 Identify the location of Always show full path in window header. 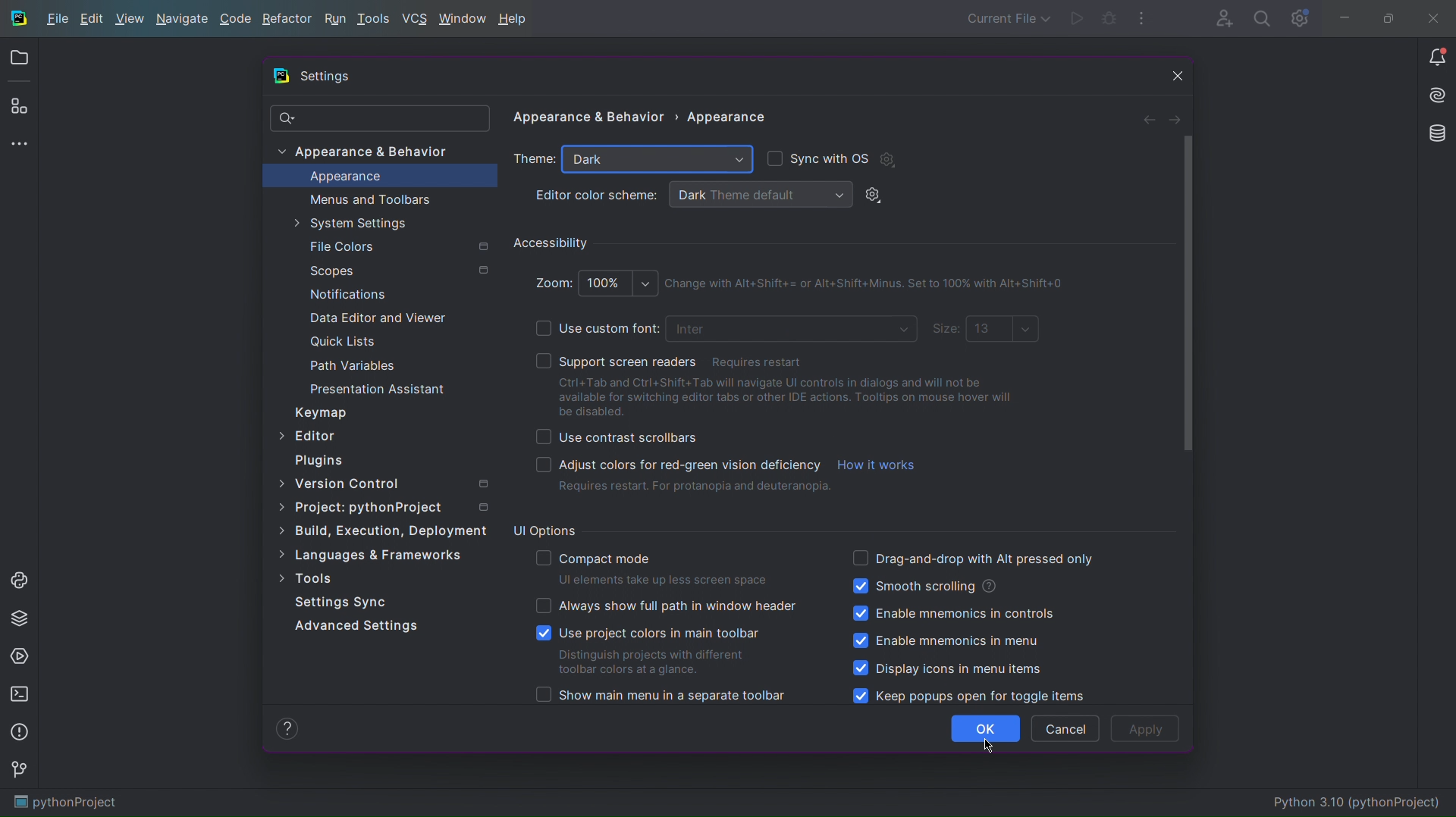
(666, 606).